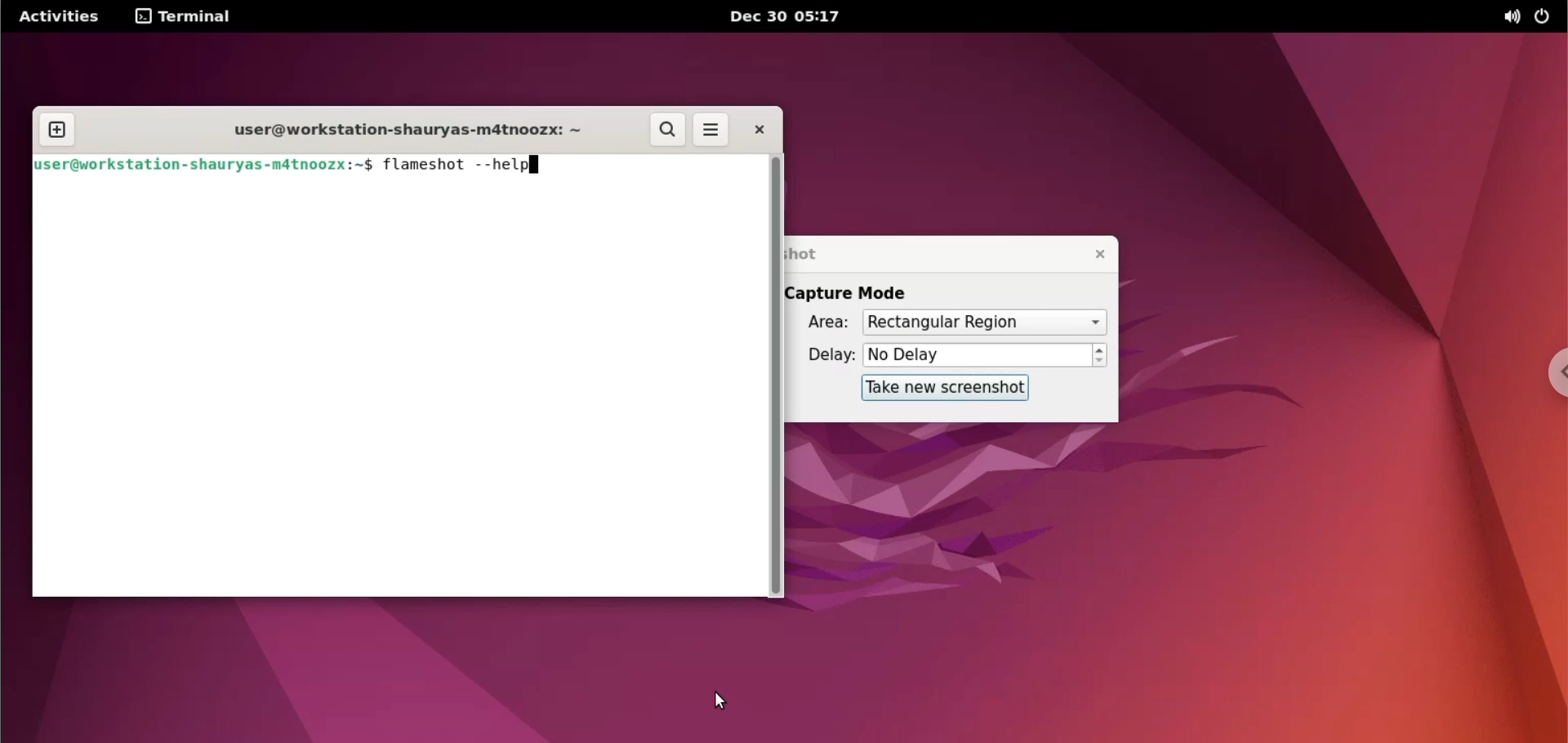 The width and height of the screenshot is (1568, 743). What do you see at coordinates (1100, 356) in the screenshot?
I see `increment or decrement delay` at bounding box center [1100, 356].